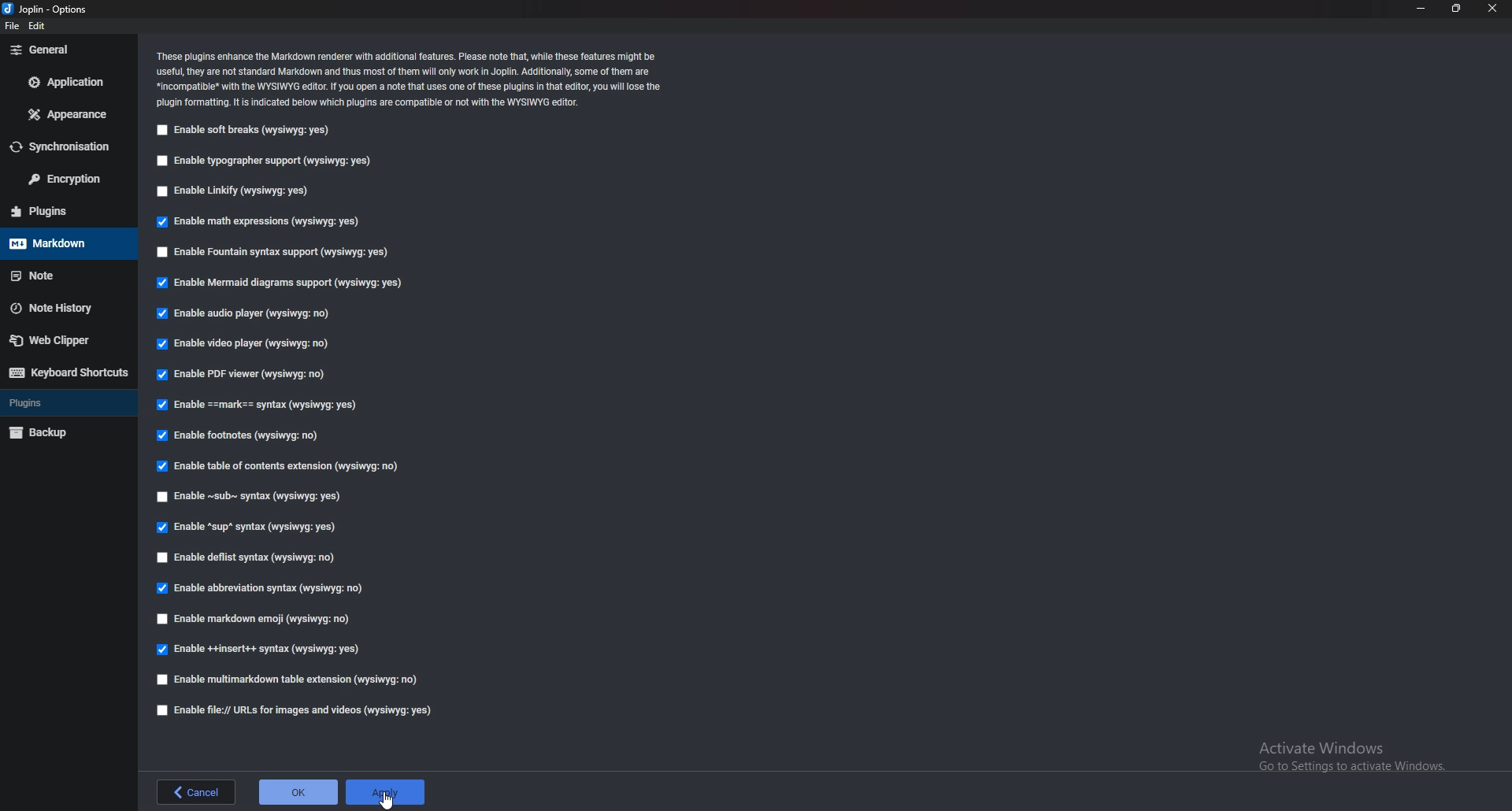 The image size is (1512, 811). What do you see at coordinates (64, 146) in the screenshot?
I see `Sync` at bounding box center [64, 146].